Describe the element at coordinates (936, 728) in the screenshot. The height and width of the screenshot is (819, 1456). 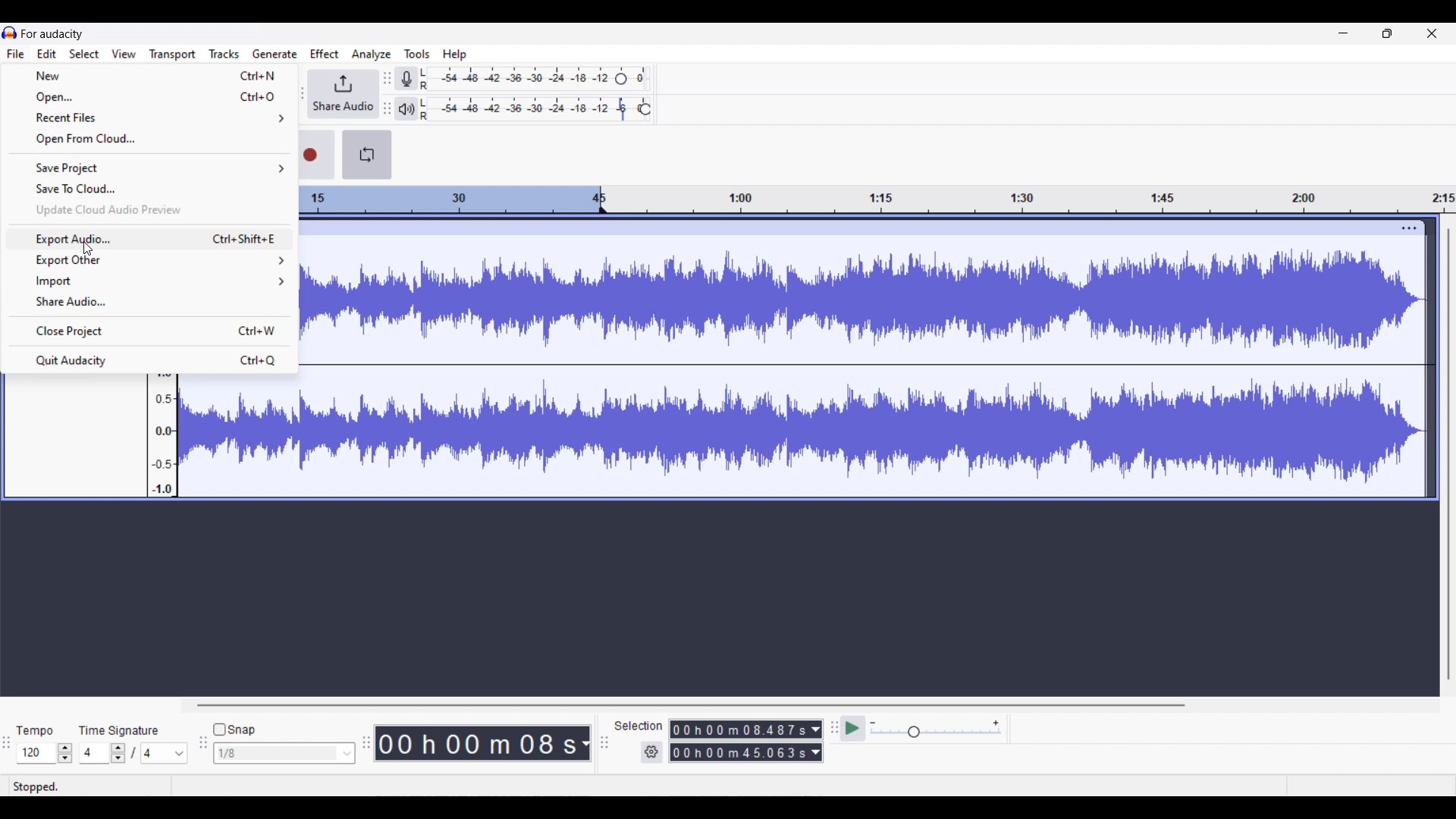
I see `Playback speed scale` at that location.